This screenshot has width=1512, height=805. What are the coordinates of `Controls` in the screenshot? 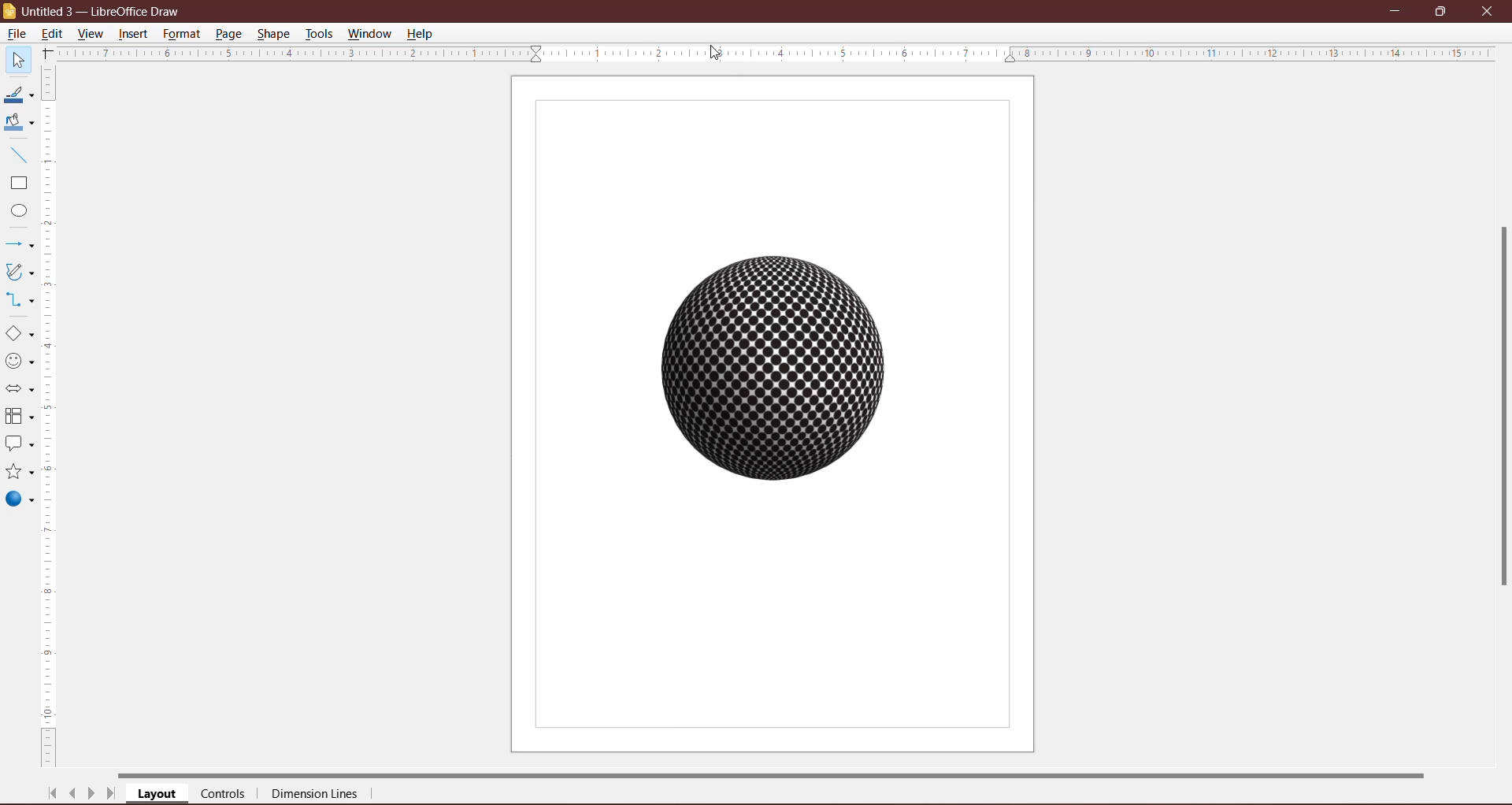 It's located at (228, 795).